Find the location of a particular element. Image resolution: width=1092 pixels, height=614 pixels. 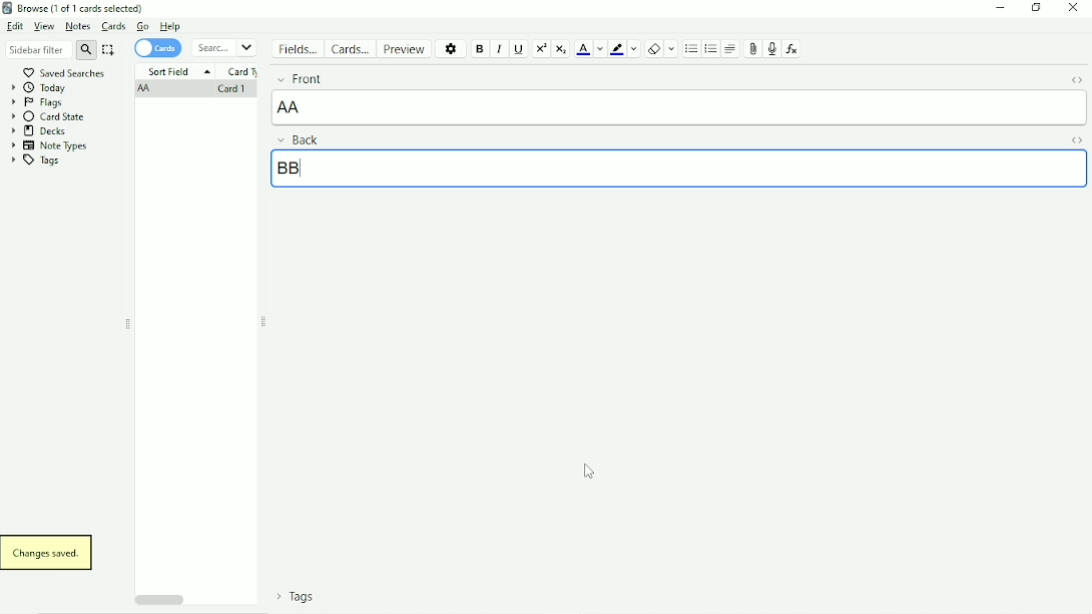

Back is located at coordinates (298, 139).